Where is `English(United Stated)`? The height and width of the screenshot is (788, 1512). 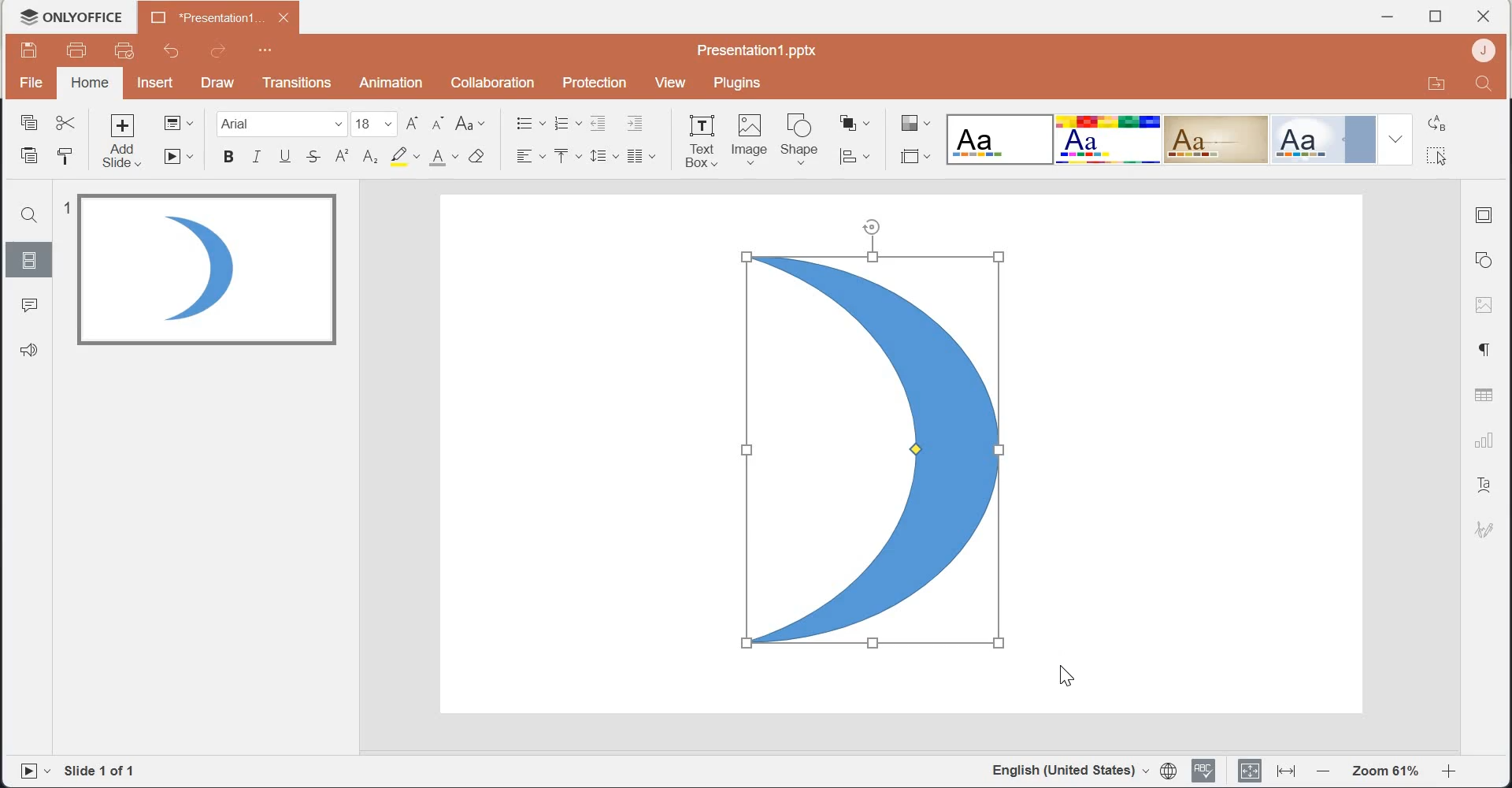
English(United Stated) is located at coordinates (1073, 773).